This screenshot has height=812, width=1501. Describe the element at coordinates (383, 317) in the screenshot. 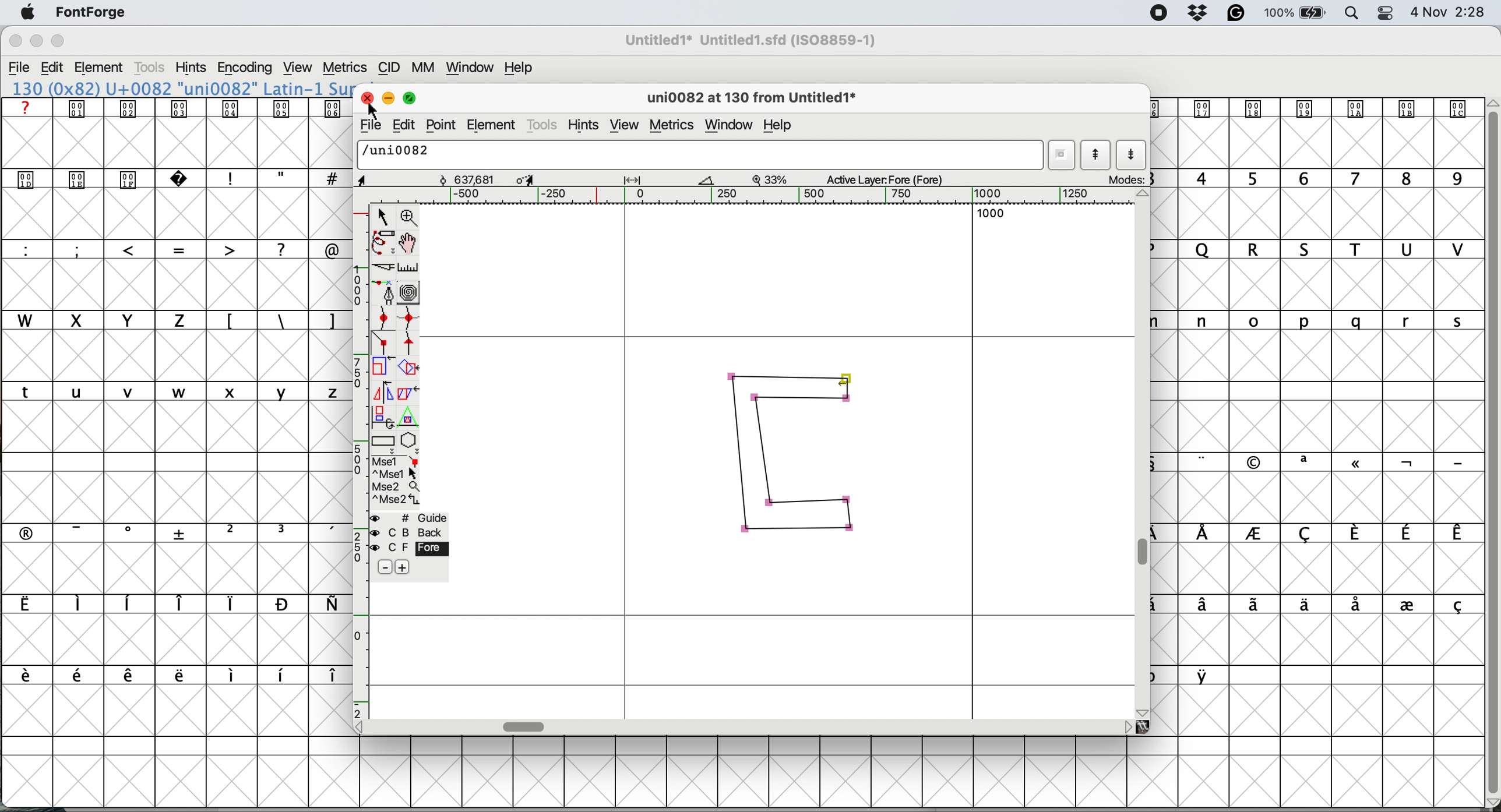

I see `add a curve point` at that location.